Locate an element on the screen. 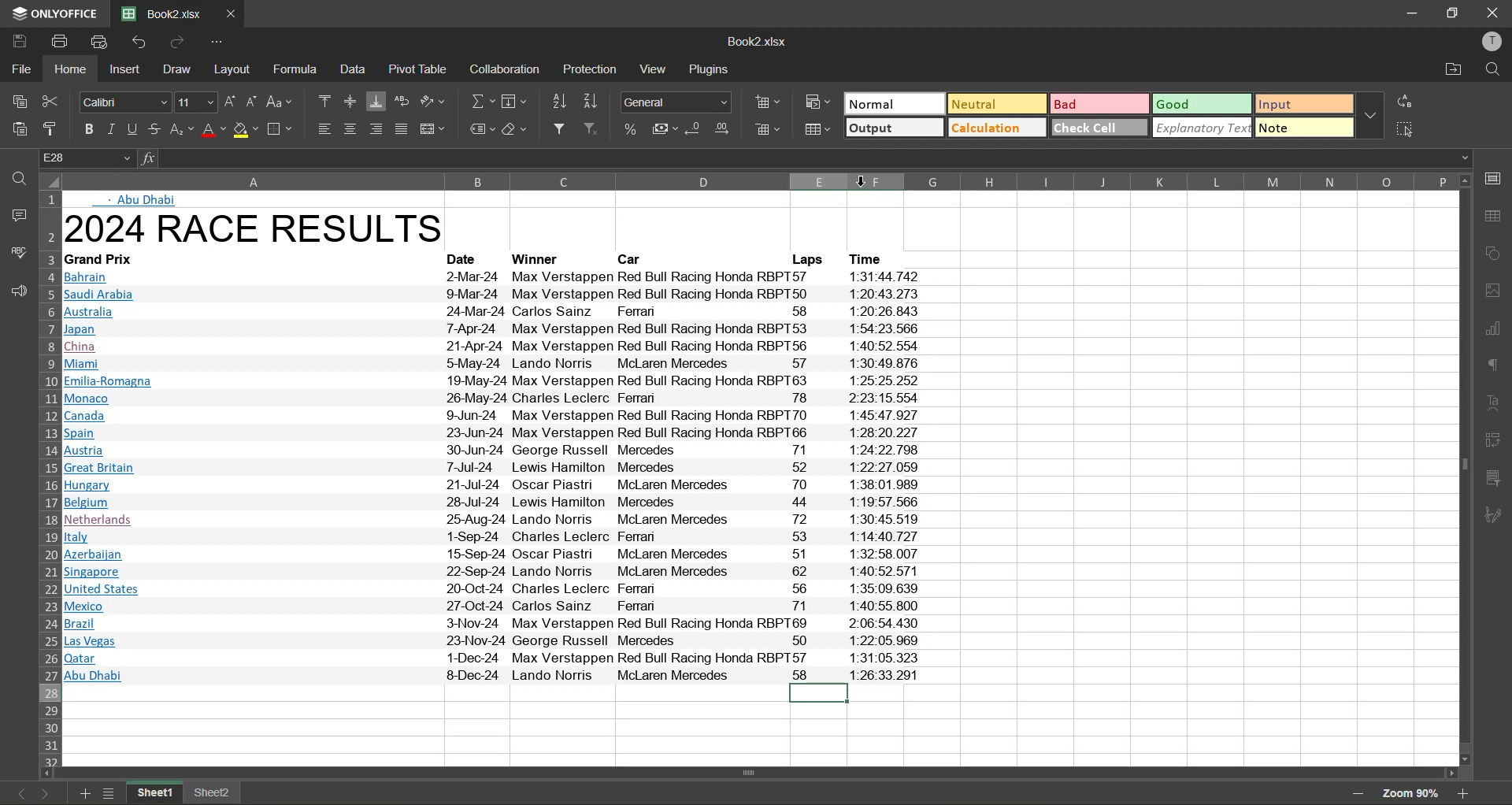 The width and height of the screenshot is (1512, 805). accounting is located at coordinates (663, 128).